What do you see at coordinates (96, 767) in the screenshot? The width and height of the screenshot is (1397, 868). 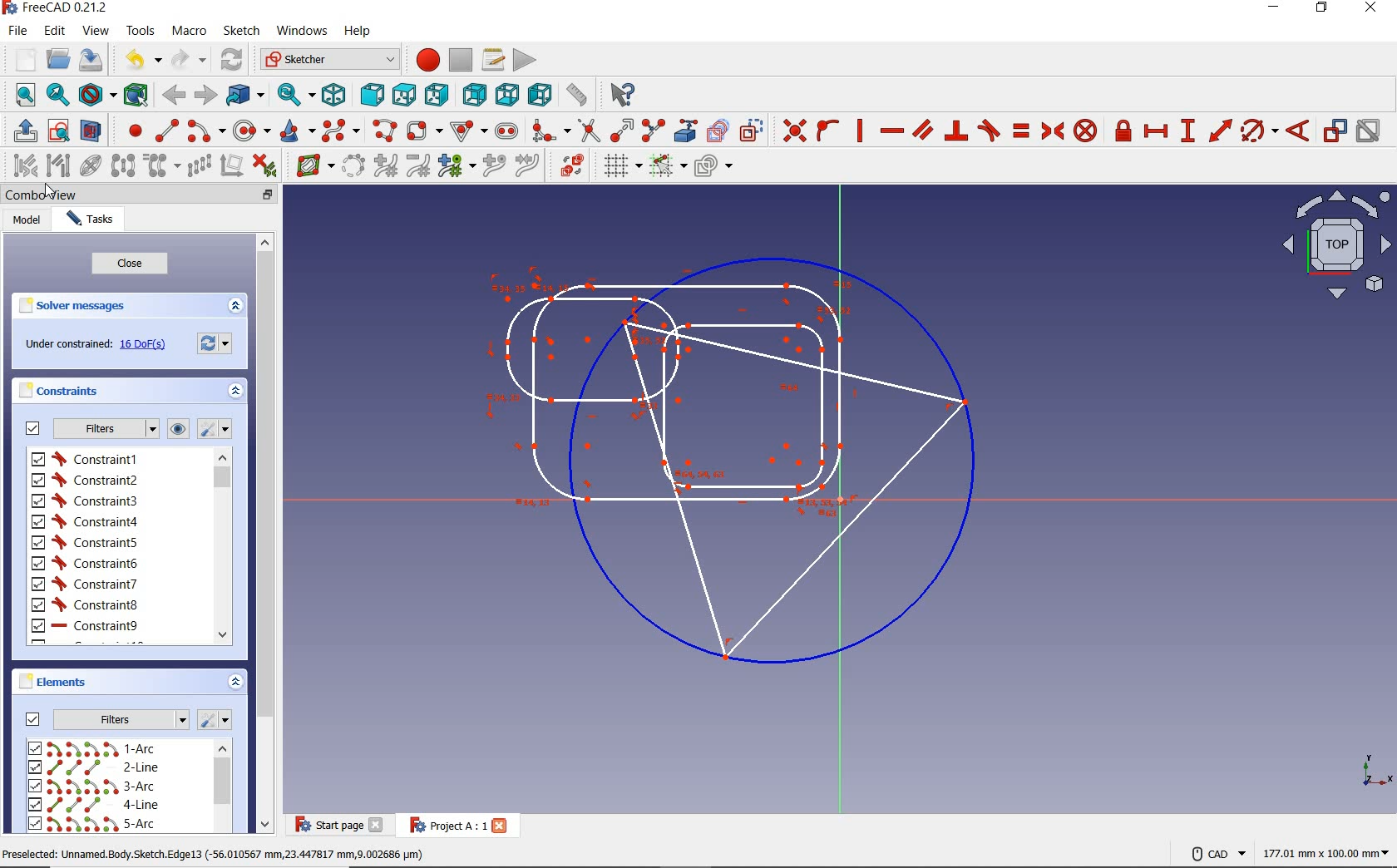 I see `2-line` at bounding box center [96, 767].